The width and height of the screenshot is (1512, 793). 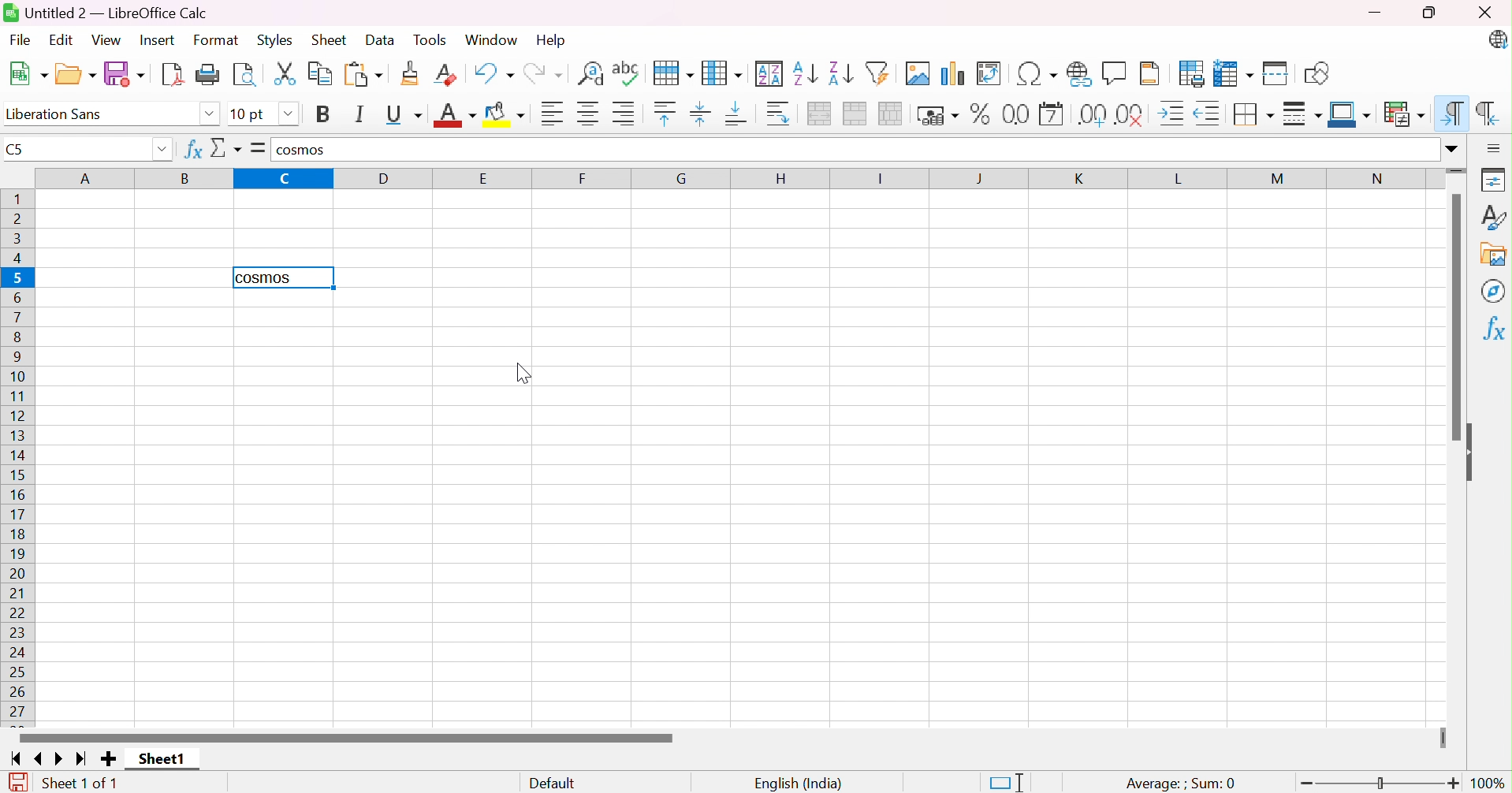 I want to click on Align Top, so click(x=668, y=114).